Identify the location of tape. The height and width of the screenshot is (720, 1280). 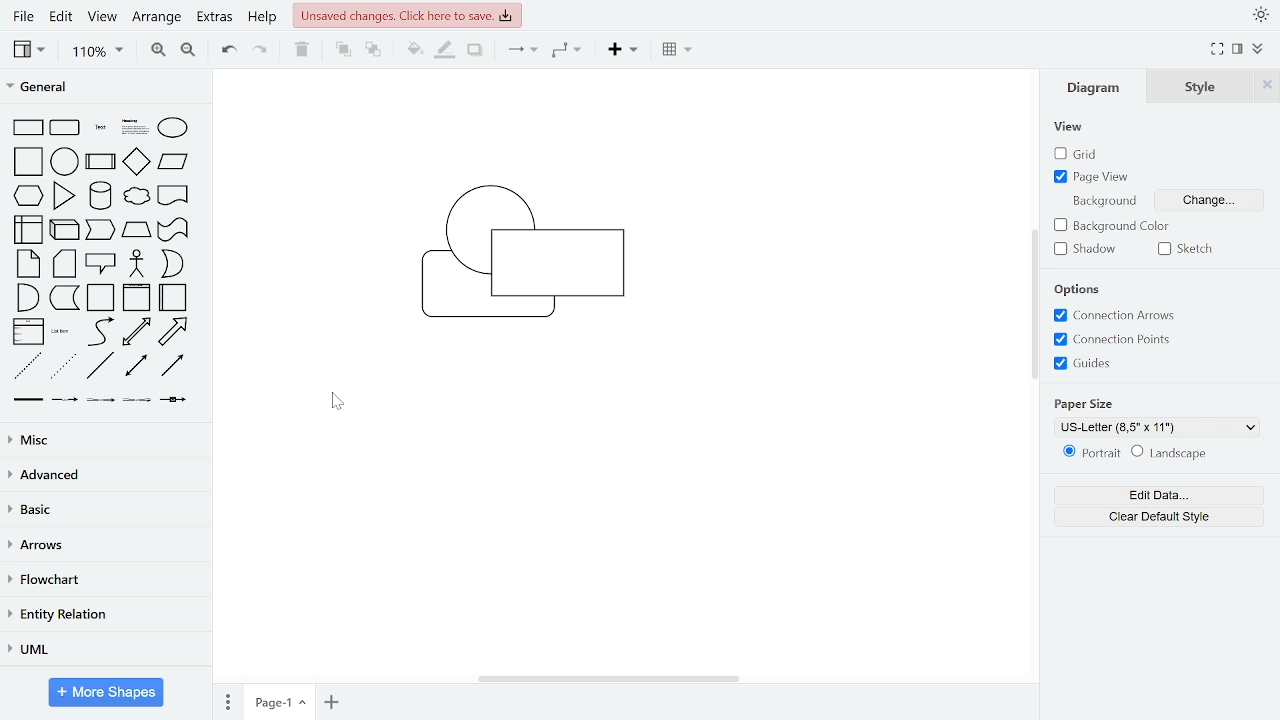
(173, 231).